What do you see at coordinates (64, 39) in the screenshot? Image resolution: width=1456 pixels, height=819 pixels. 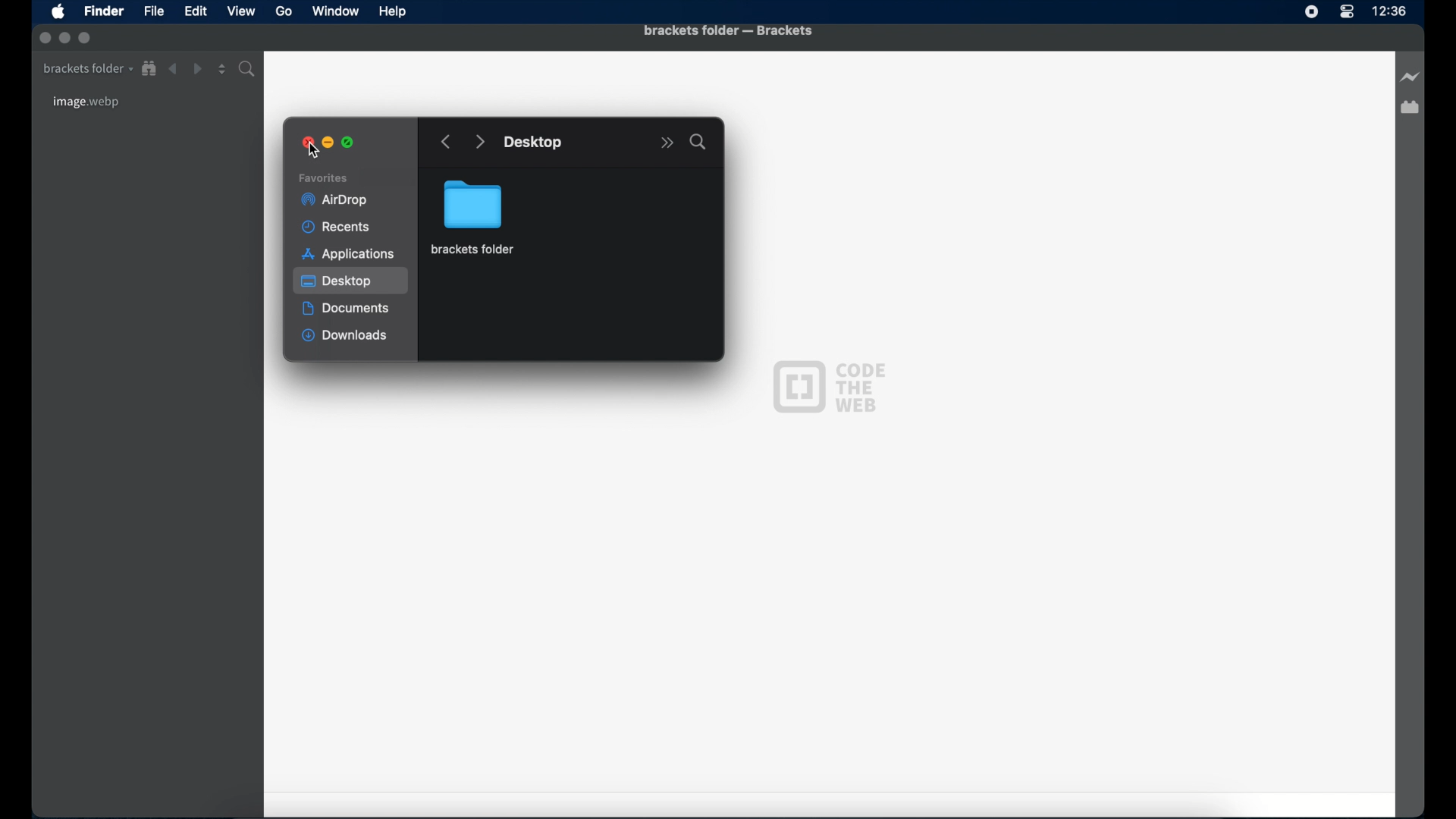 I see `inactive minimize button` at bounding box center [64, 39].